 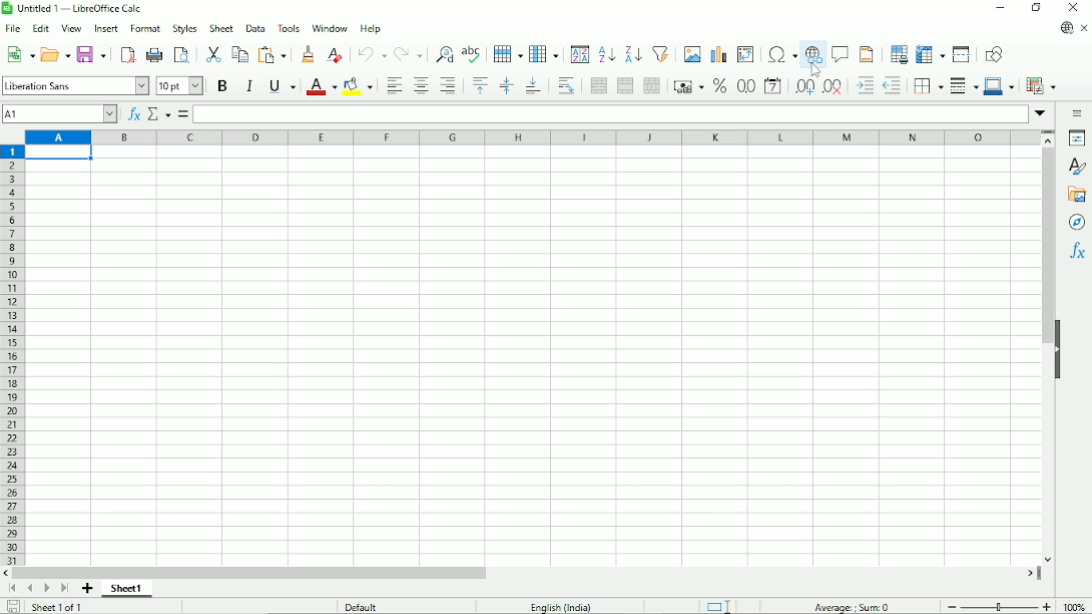 What do you see at coordinates (55, 53) in the screenshot?
I see `Open` at bounding box center [55, 53].